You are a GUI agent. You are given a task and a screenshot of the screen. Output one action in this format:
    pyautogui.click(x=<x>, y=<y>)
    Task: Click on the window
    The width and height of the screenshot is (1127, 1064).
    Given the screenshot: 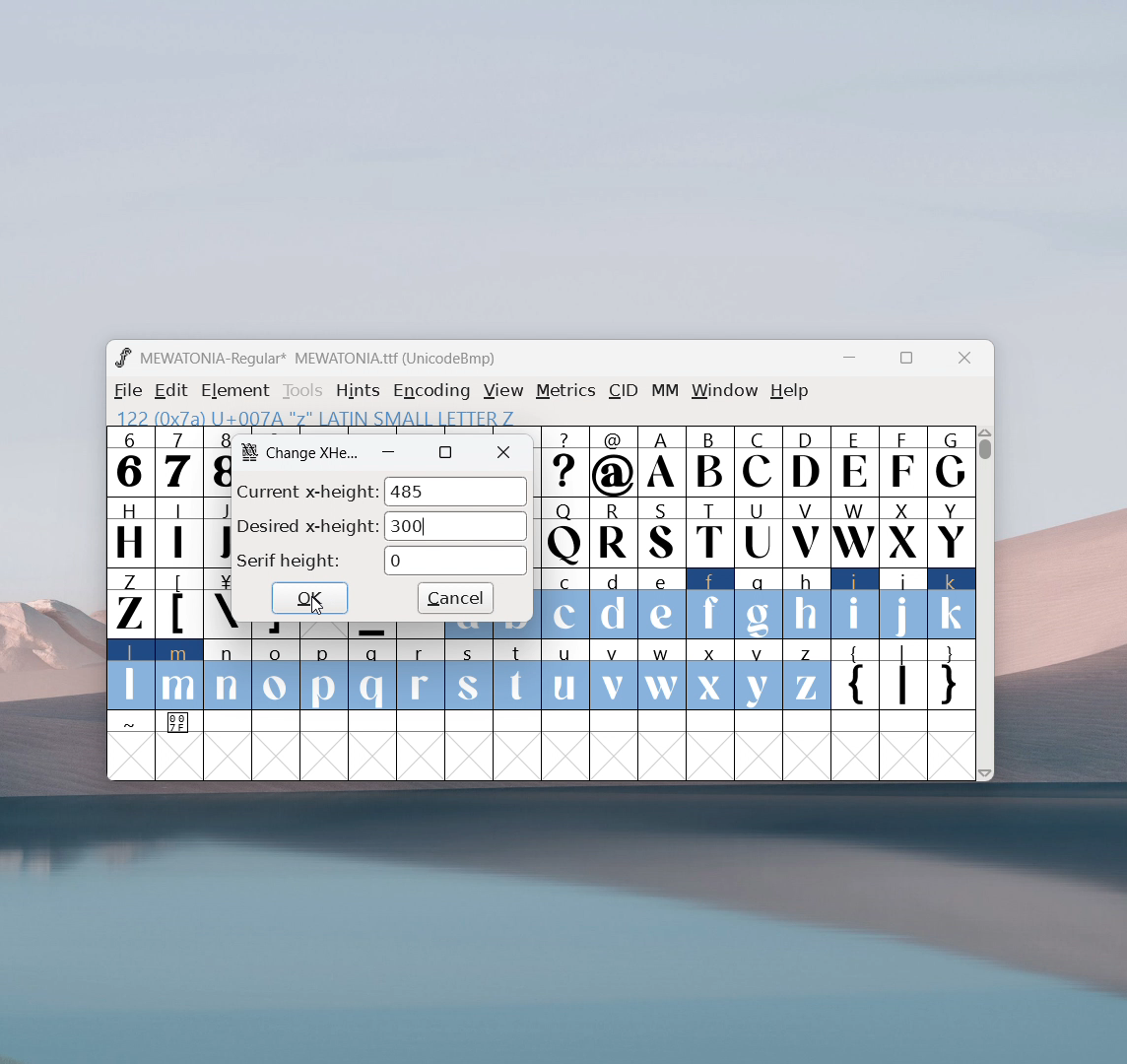 What is the action you would take?
    pyautogui.click(x=725, y=391)
    